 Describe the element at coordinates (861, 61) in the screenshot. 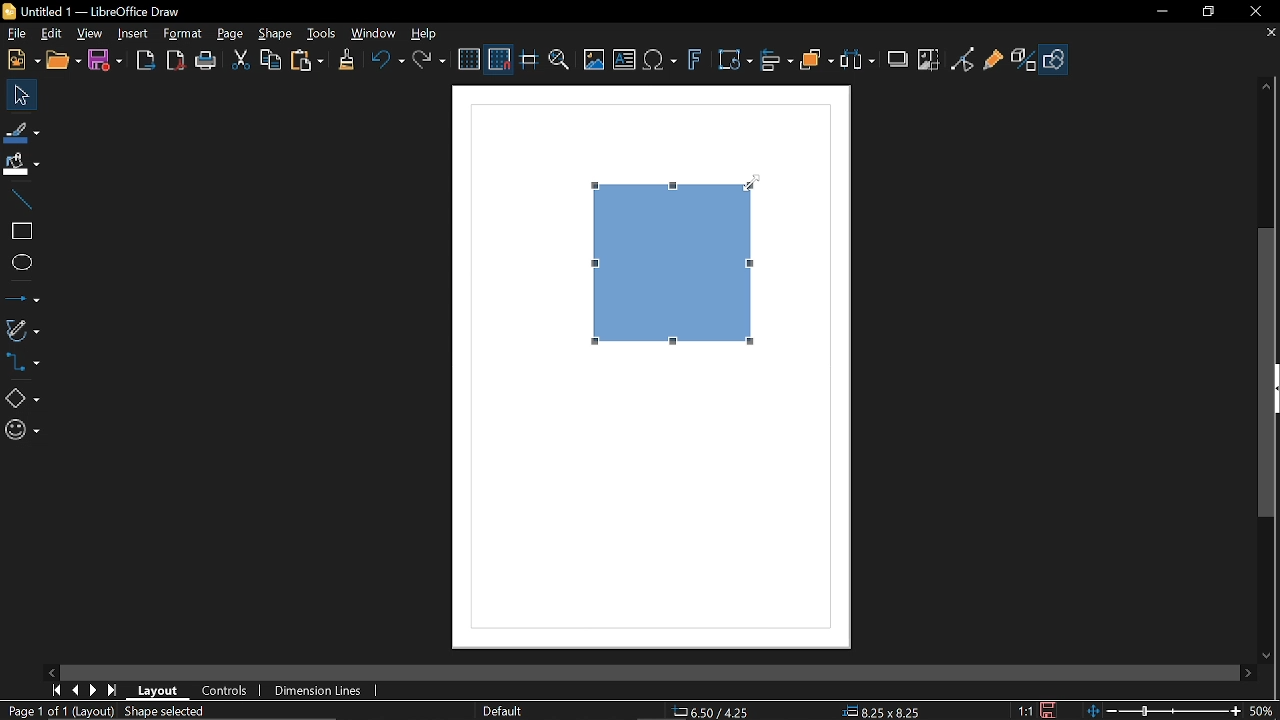

I see `Select at least three objects to distribute` at that location.